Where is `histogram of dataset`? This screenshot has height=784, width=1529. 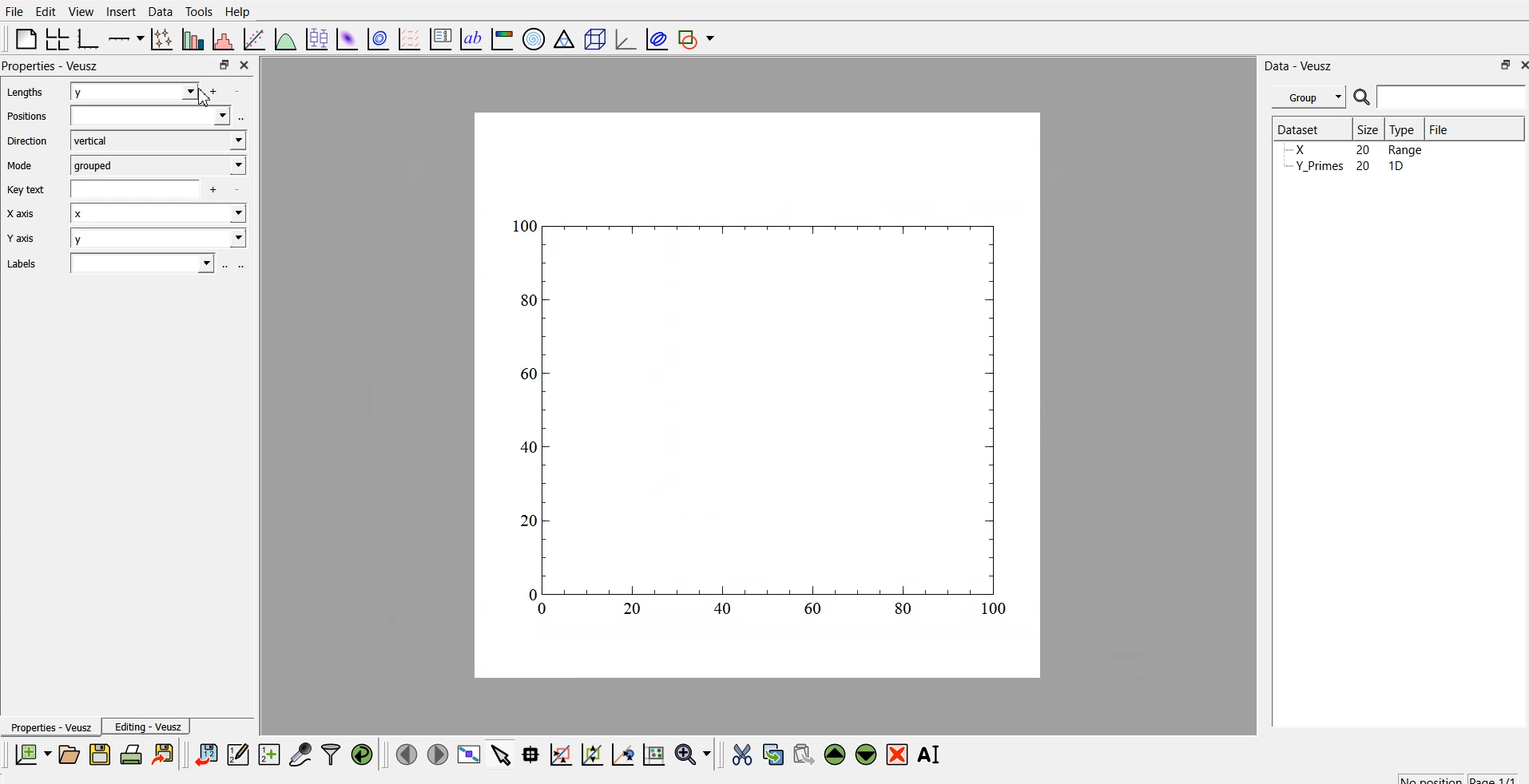
histogram of dataset is located at coordinates (222, 40).